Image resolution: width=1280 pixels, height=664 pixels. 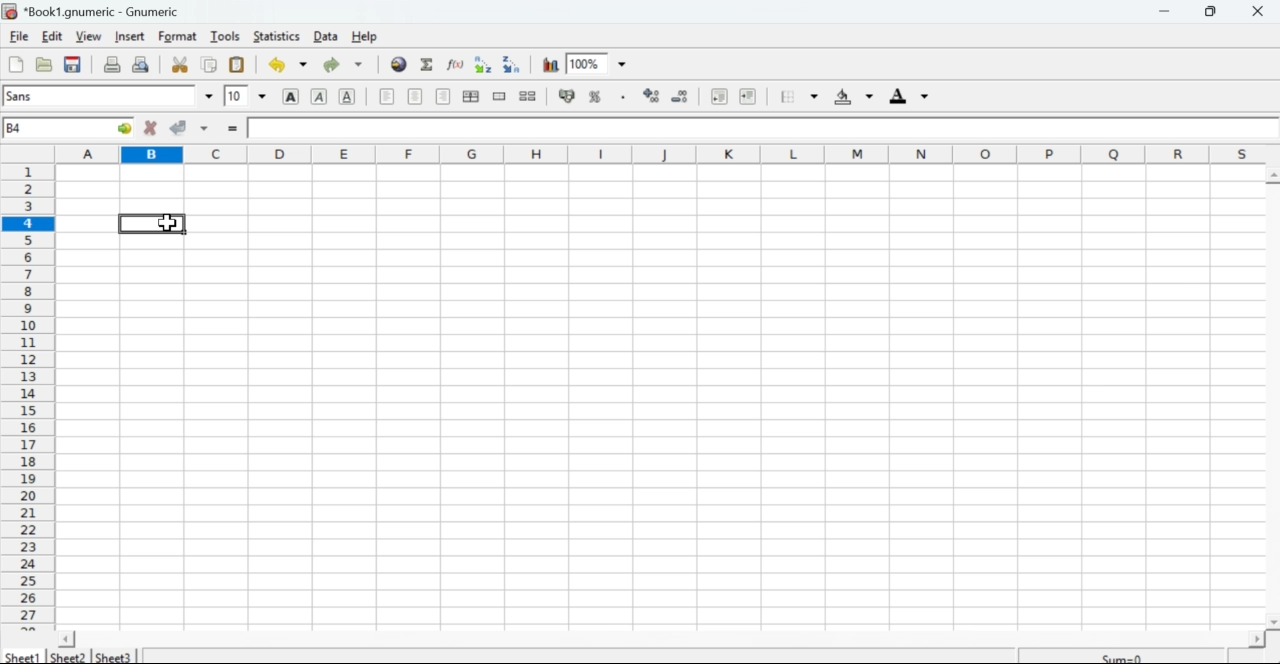 I want to click on Copy, so click(x=208, y=65).